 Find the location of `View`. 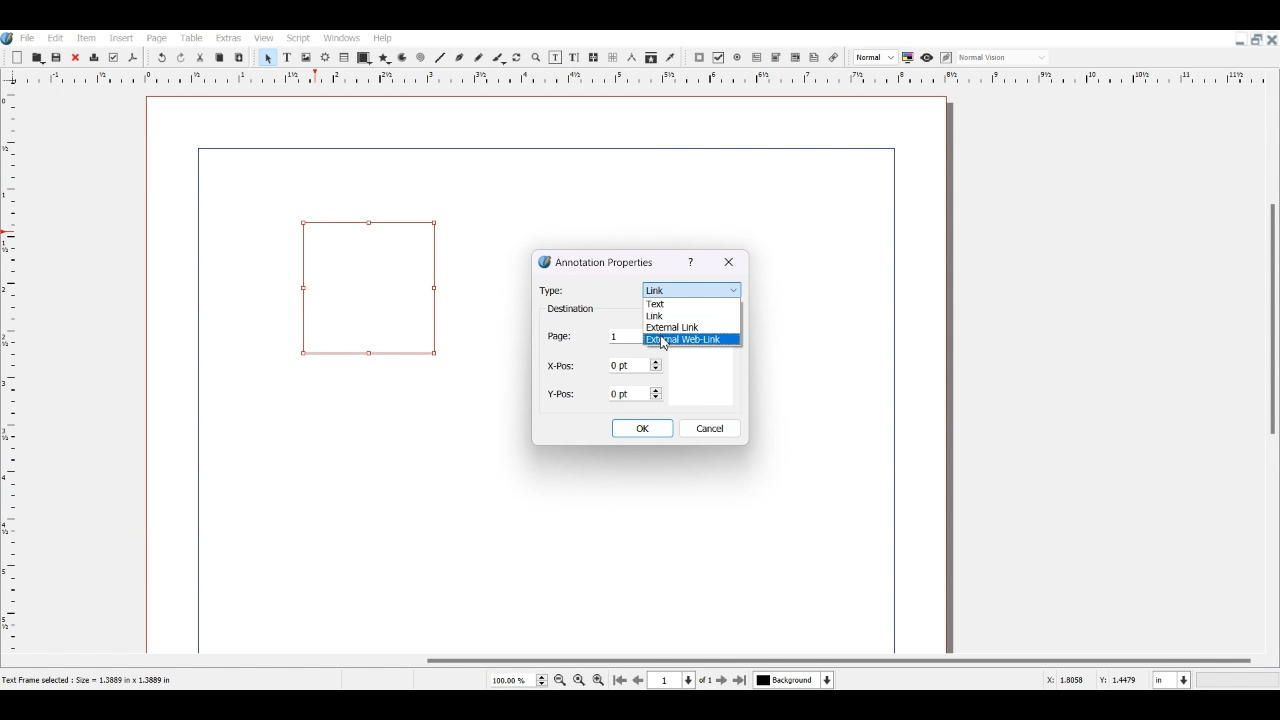

View is located at coordinates (263, 38).